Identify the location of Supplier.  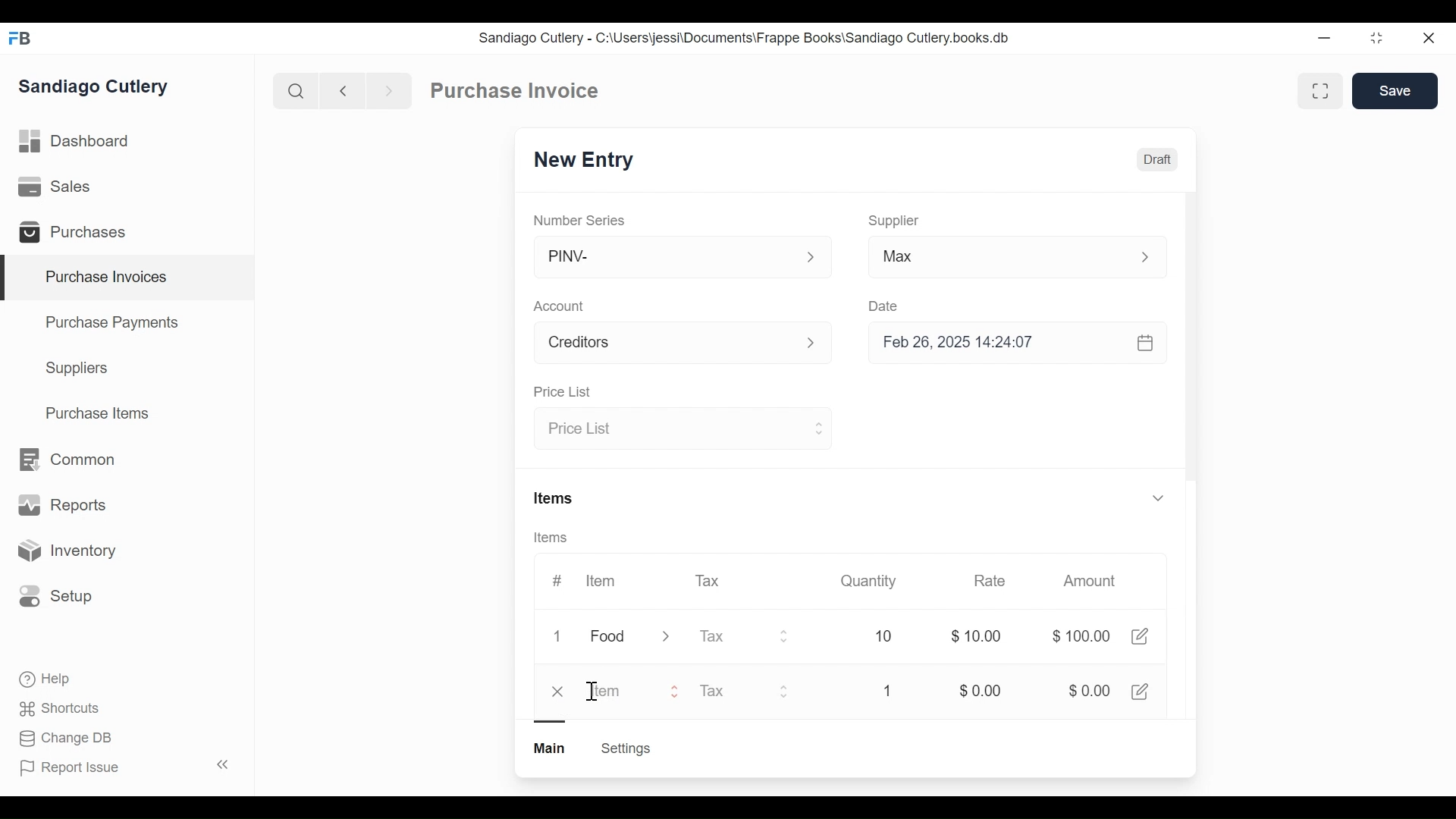
(894, 221).